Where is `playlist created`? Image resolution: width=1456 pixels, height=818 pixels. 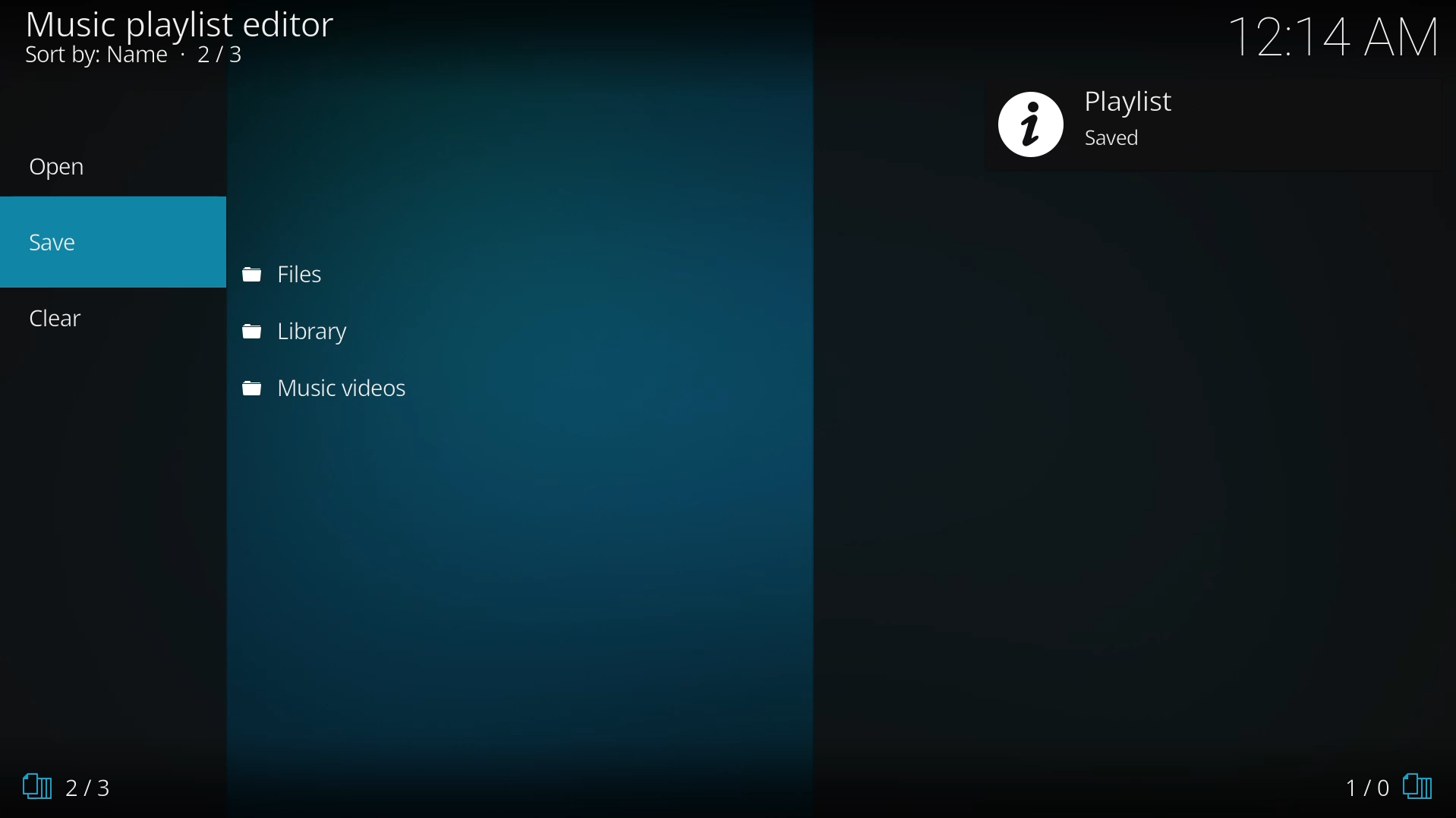
playlist created is located at coordinates (1117, 123).